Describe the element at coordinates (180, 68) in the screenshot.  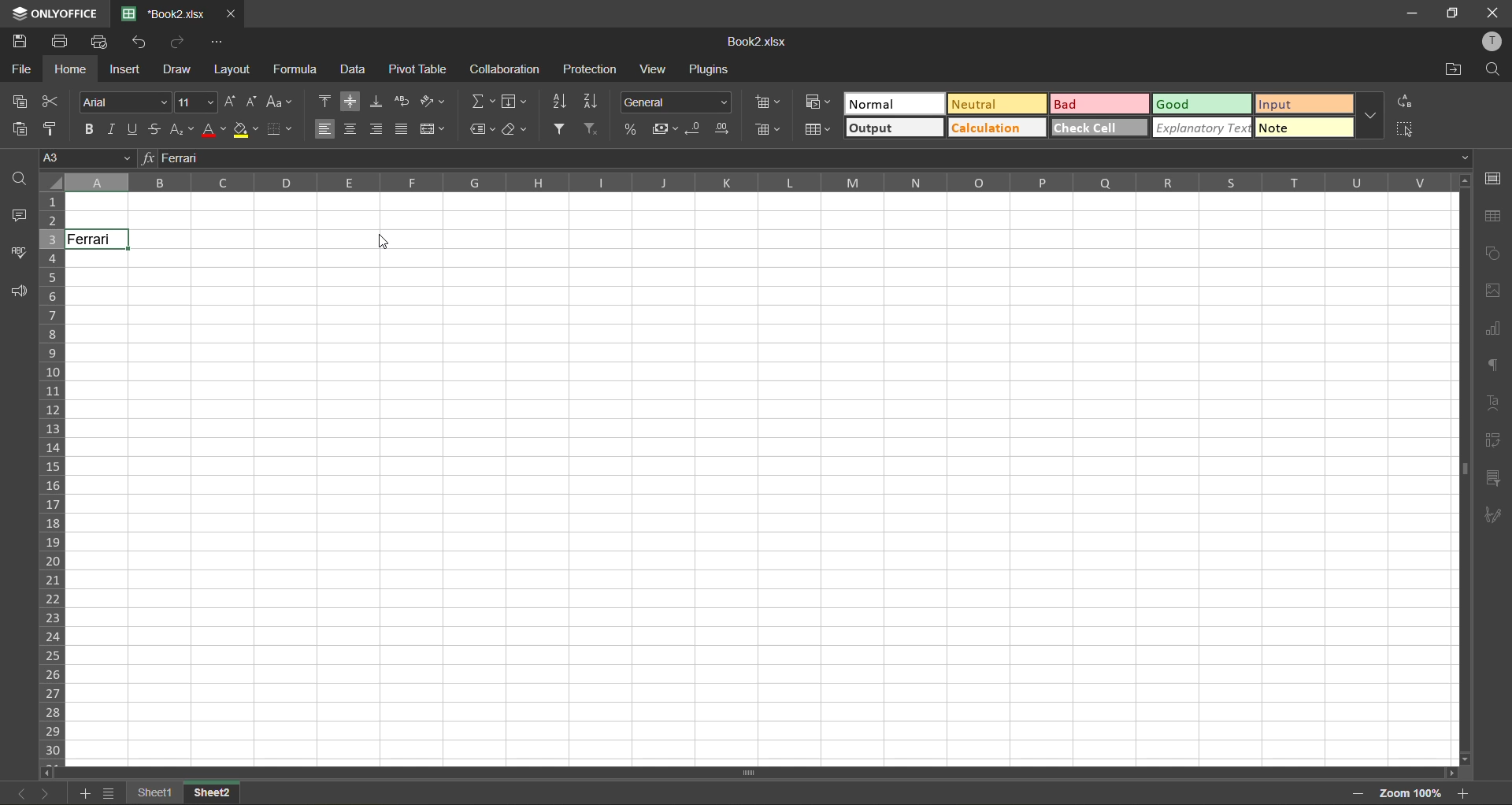
I see `draw` at that location.